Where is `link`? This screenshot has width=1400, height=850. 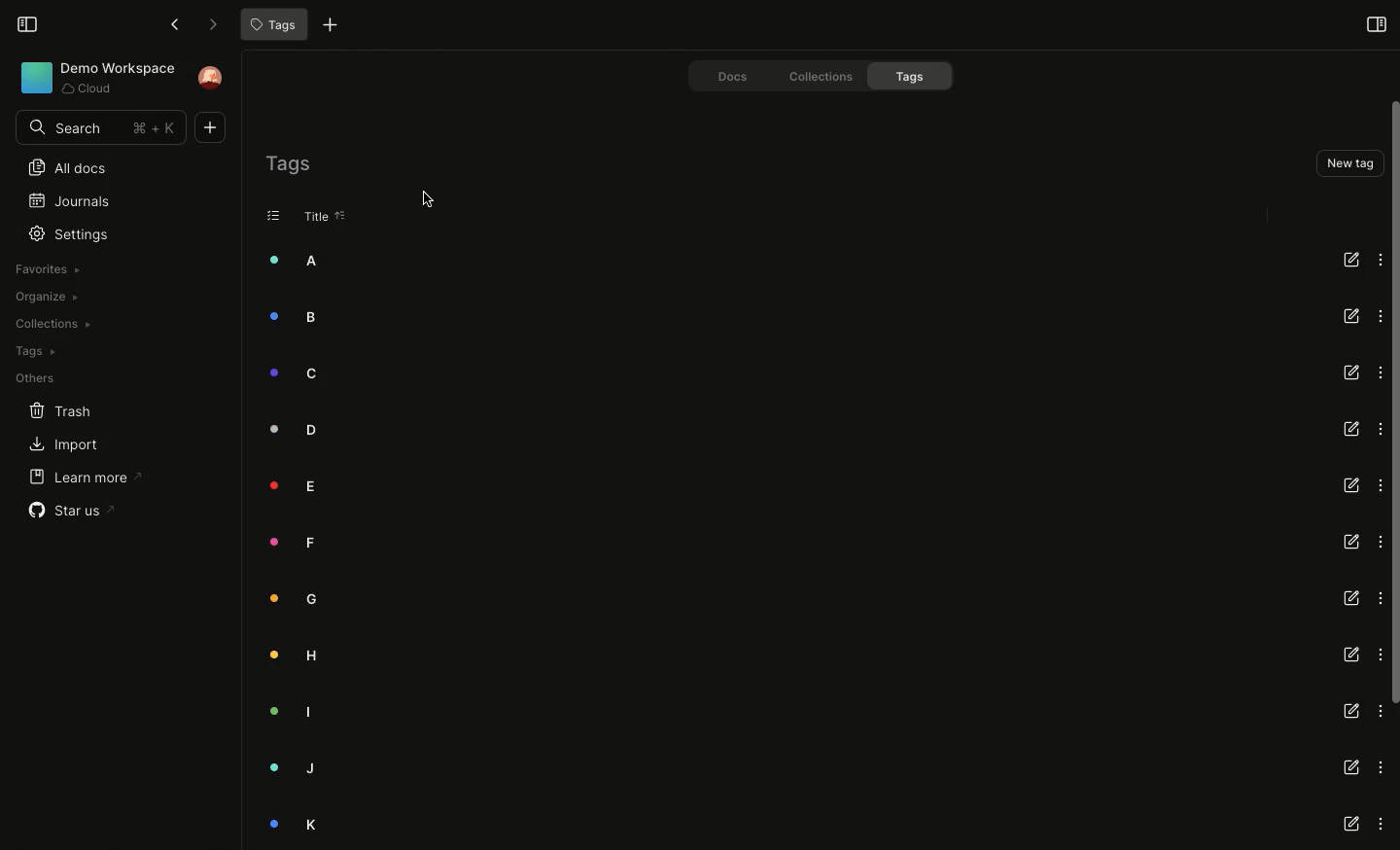 link is located at coordinates (1351, 826).